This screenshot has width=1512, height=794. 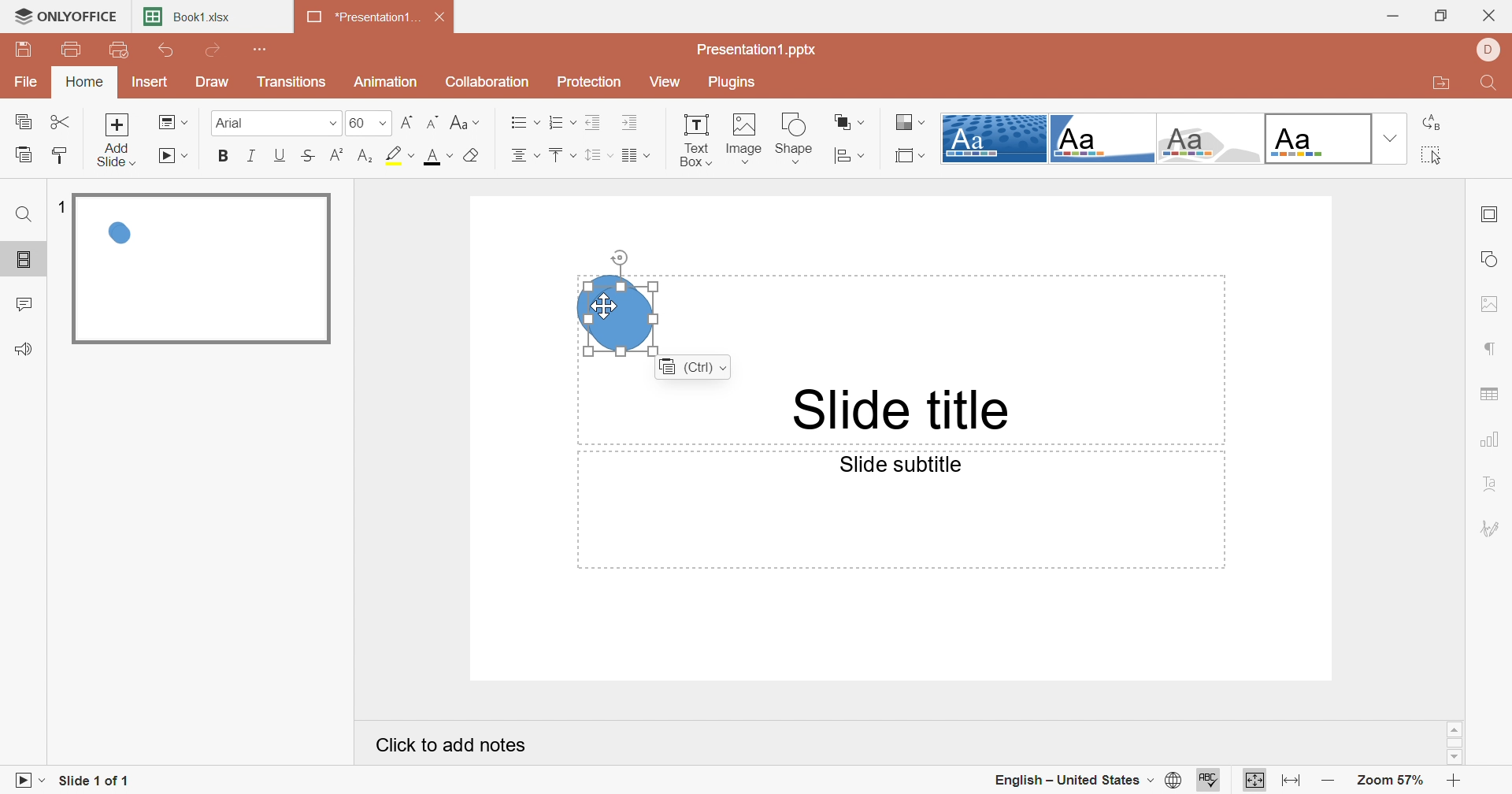 What do you see at coordinates (296, 84) in the screenshot?
I see `Transitions` at bounding box center [296, 84].